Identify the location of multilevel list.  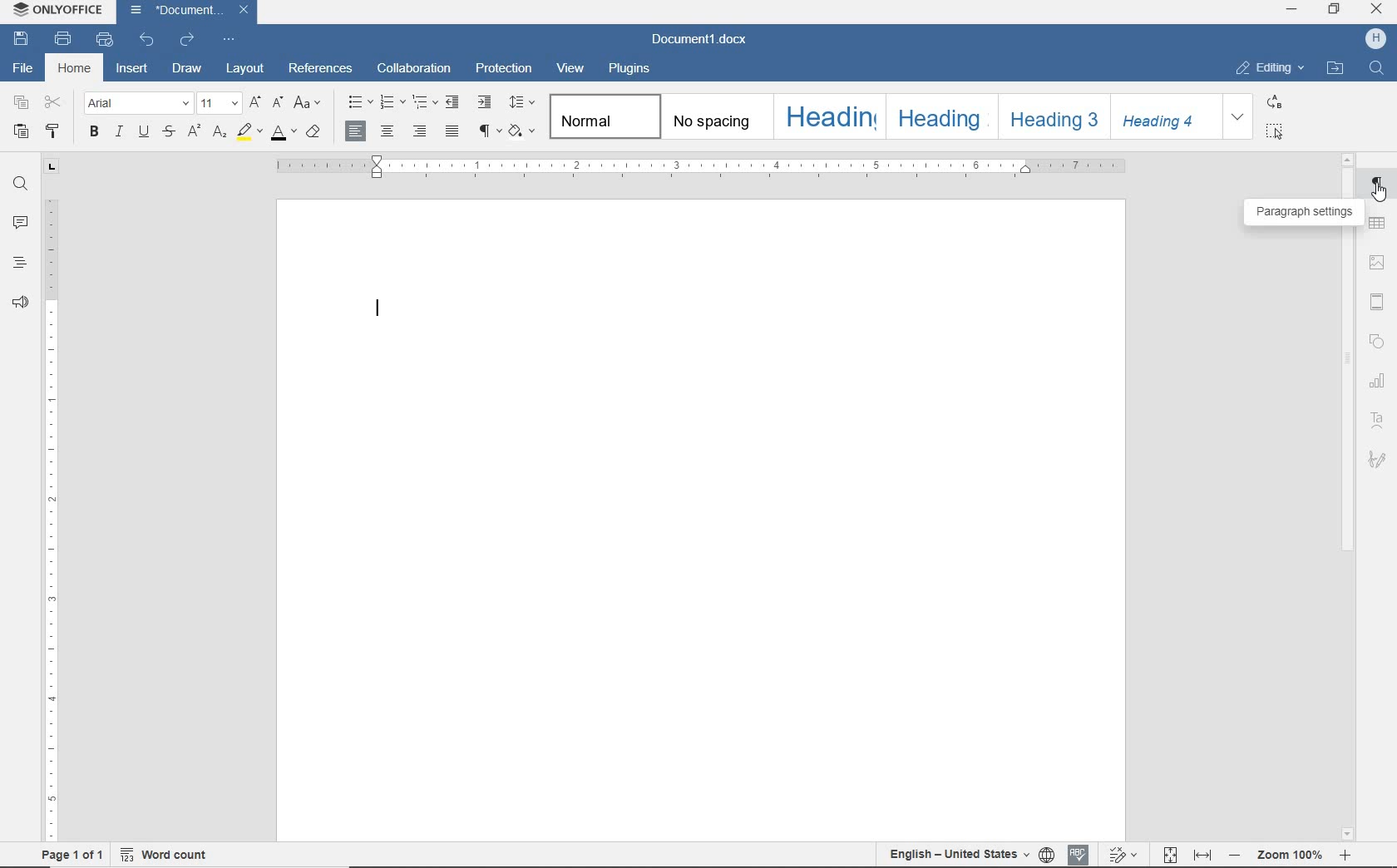
(423, 103).